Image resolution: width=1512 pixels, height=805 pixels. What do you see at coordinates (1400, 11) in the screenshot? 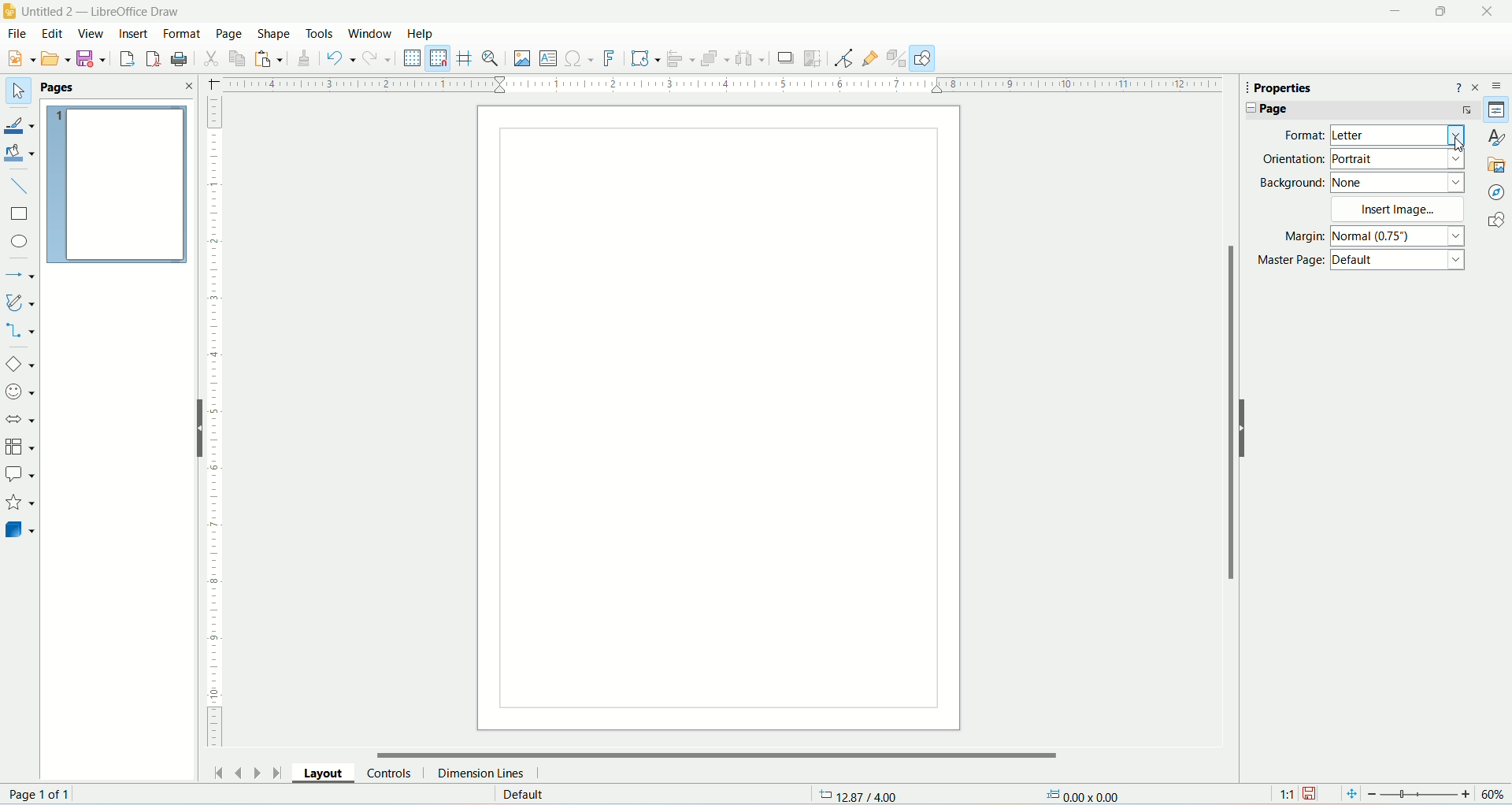
I see `minimize` at bounding box center [1400, 11].